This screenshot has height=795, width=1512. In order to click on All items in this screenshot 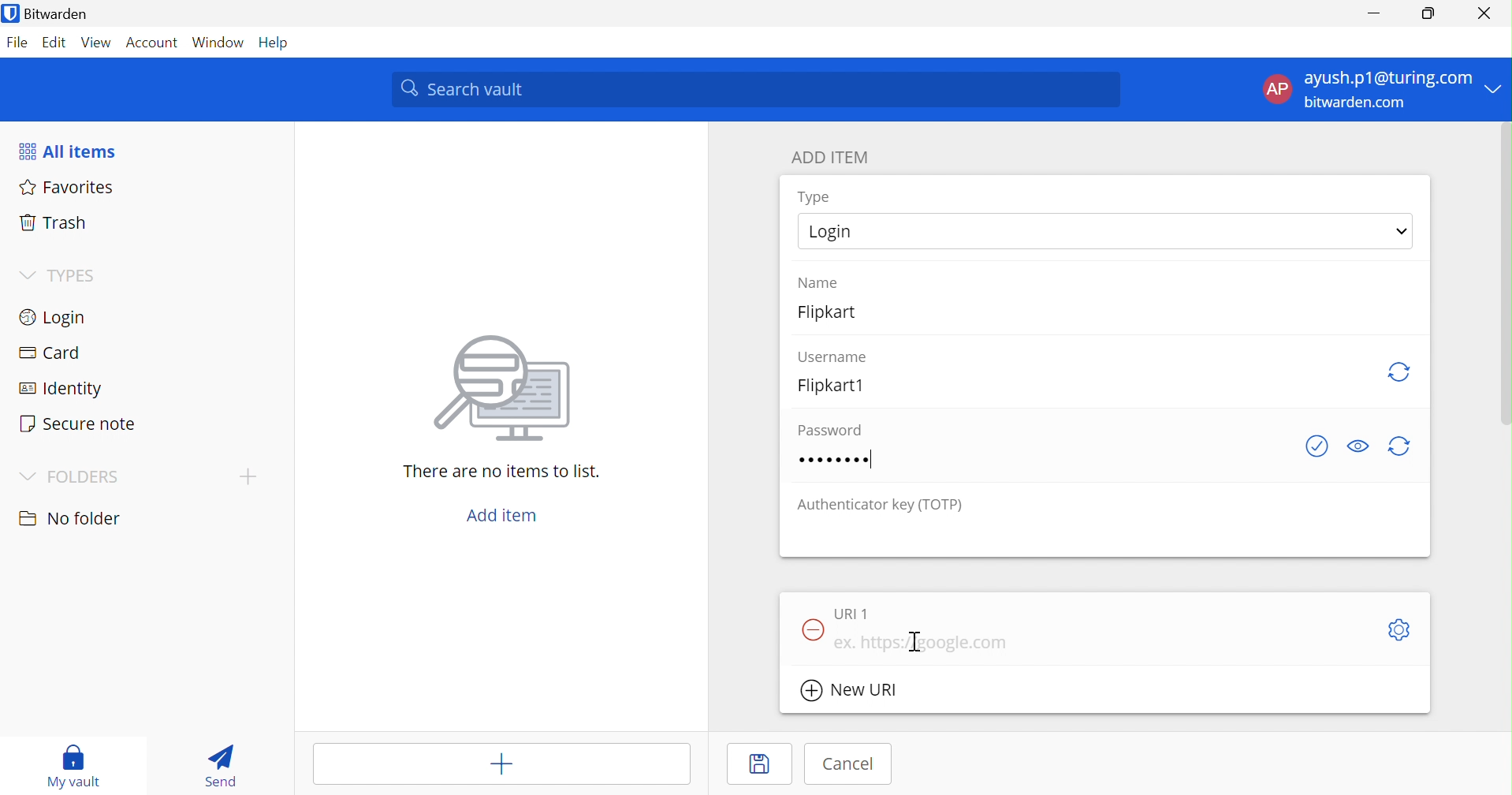, I will do `click(70, 151)`.